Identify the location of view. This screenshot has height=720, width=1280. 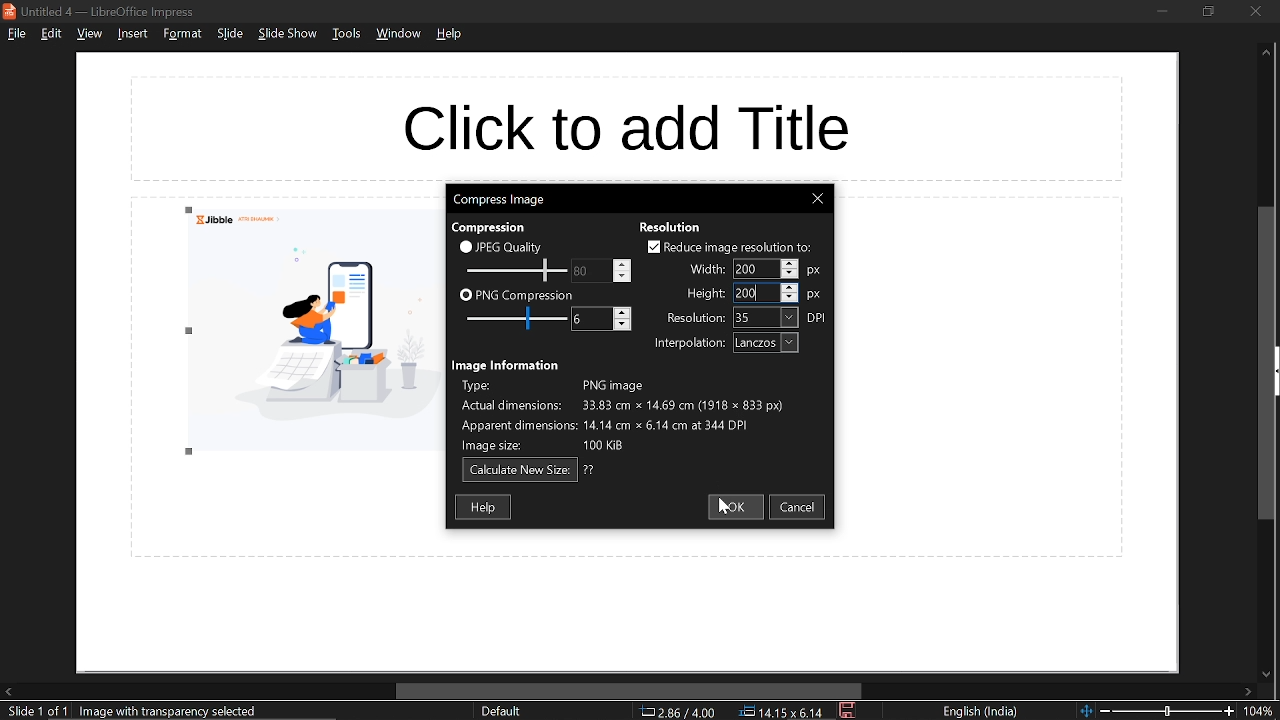
(89, 35).